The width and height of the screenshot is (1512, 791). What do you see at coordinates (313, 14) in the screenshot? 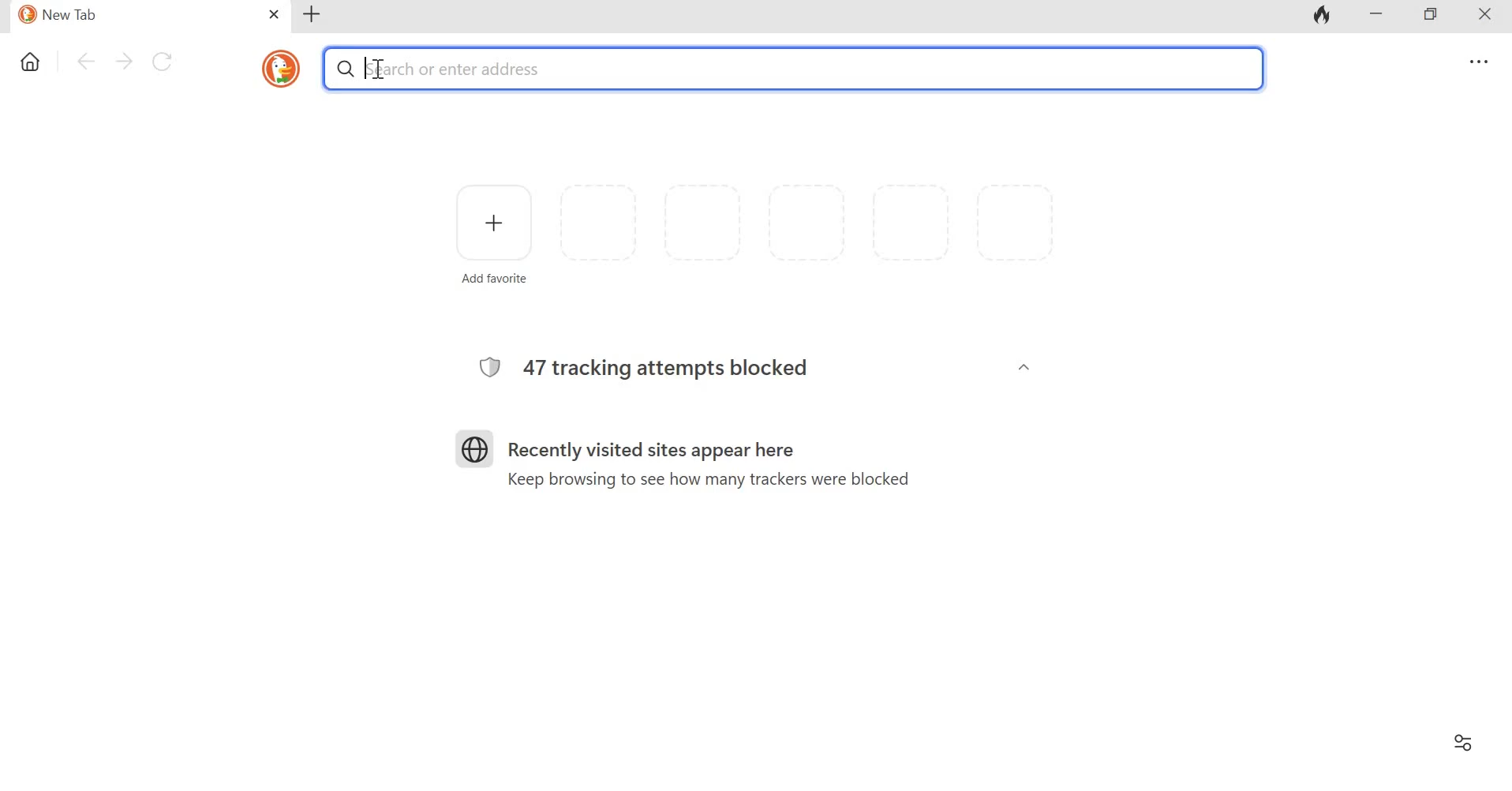
I see `New tab` at bounding box center [313, 14].